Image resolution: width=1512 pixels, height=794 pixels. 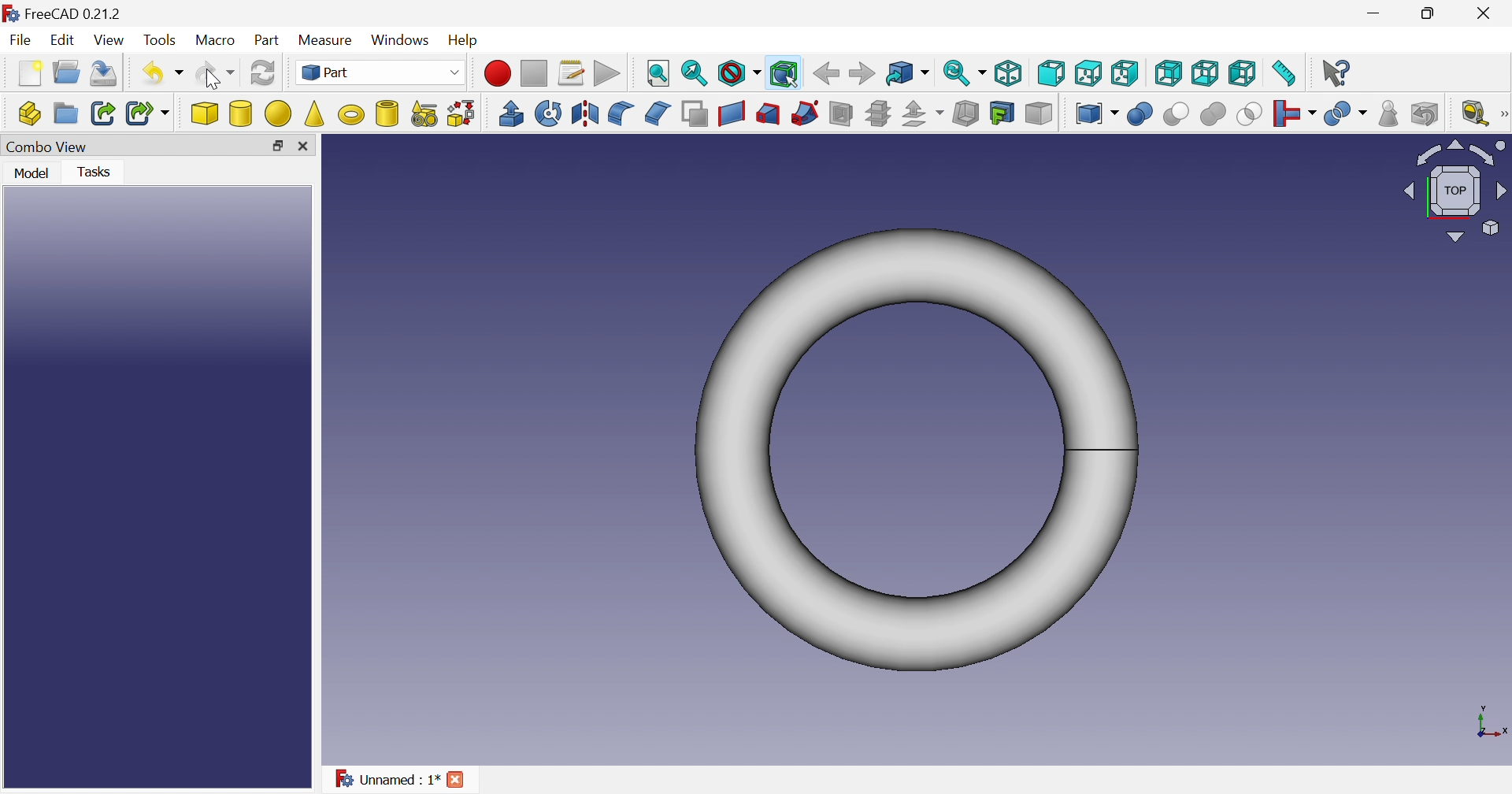 I want to click on Cursor, so click(x=213, y=78).